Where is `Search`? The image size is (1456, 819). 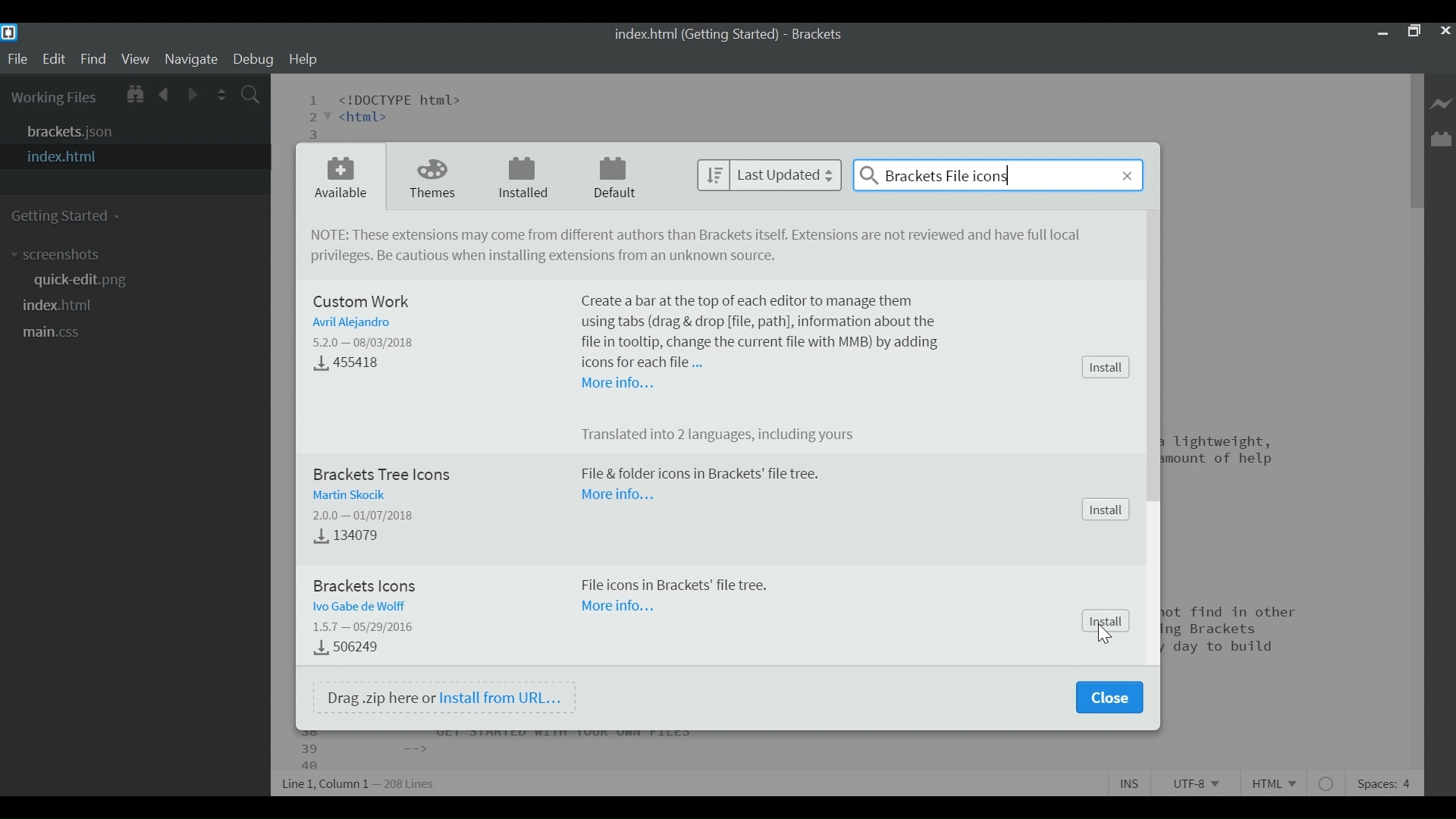
Search is located at coordinates (998, 174).